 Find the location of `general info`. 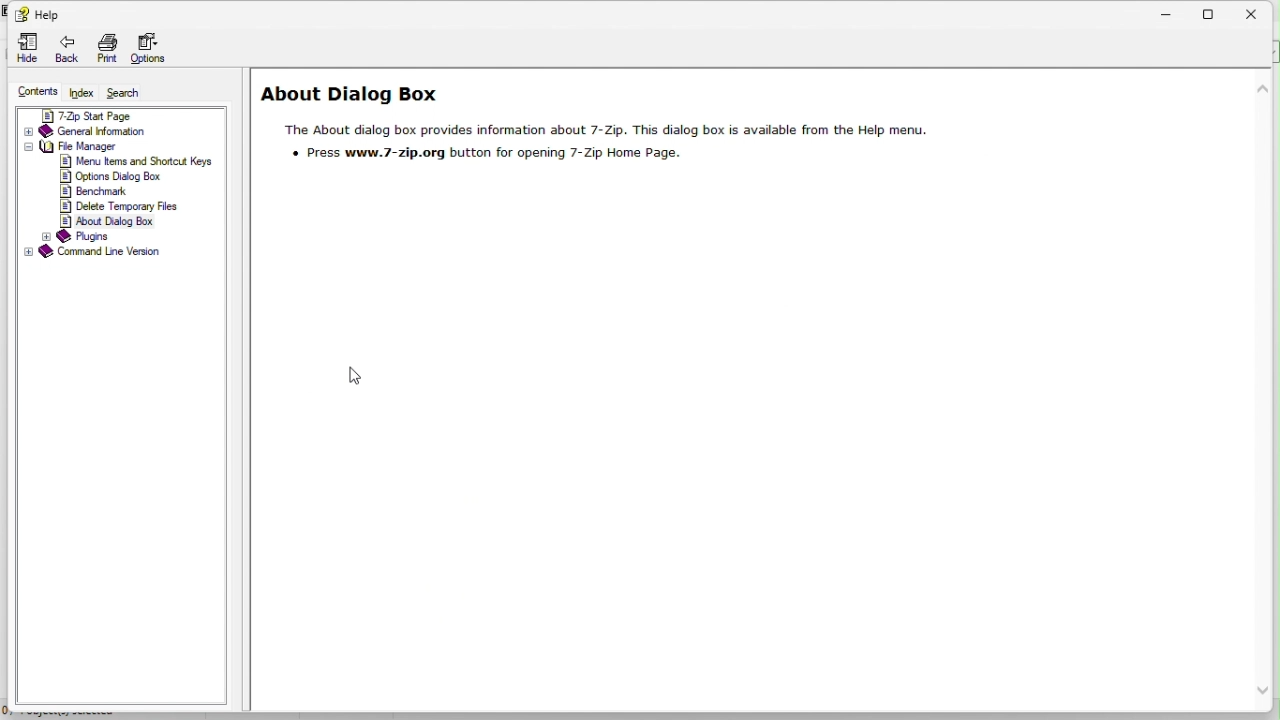

general info is located at coordinates (97, 130).